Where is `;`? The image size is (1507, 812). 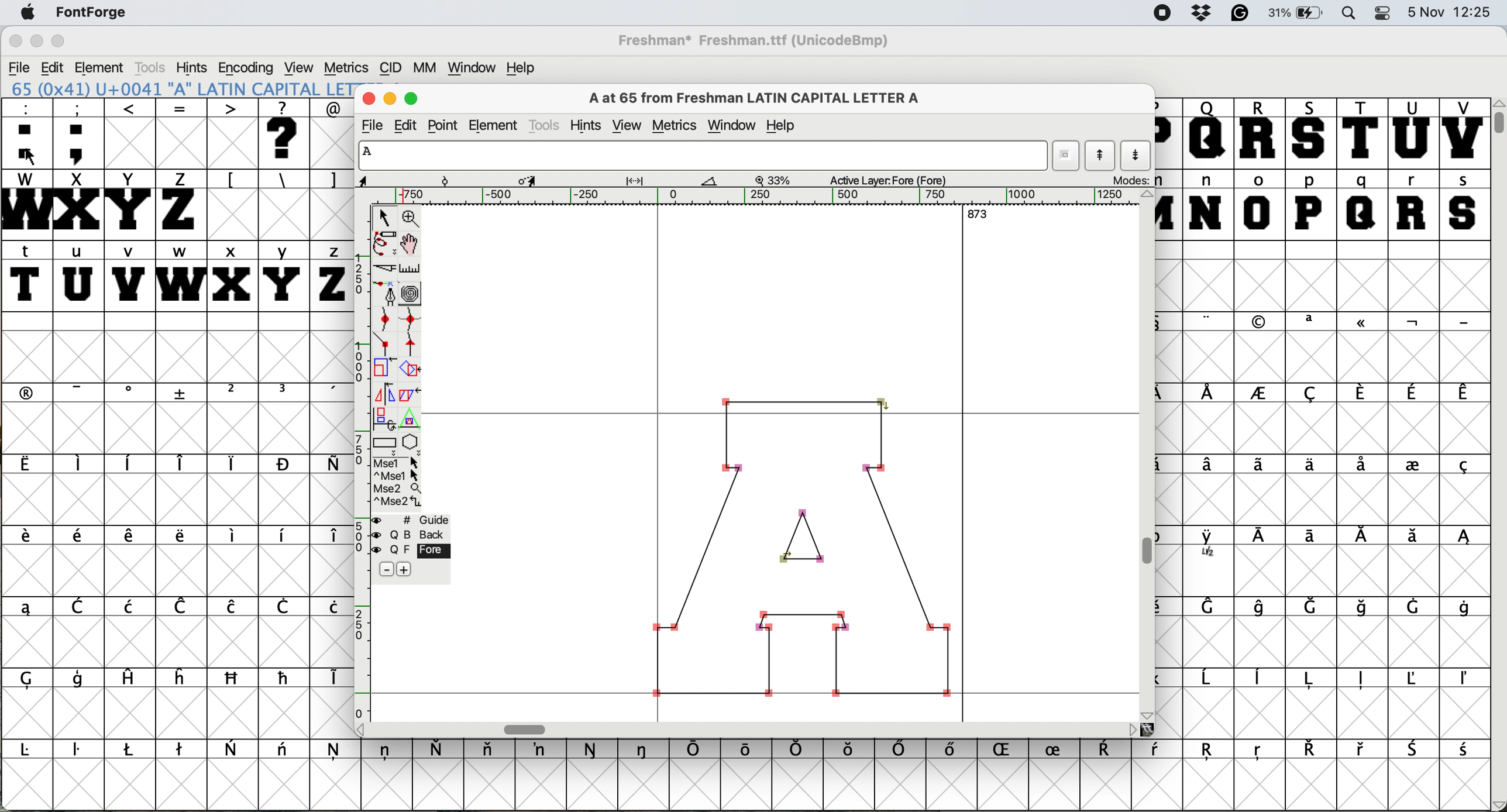
; is located at coordinates (80, 133).